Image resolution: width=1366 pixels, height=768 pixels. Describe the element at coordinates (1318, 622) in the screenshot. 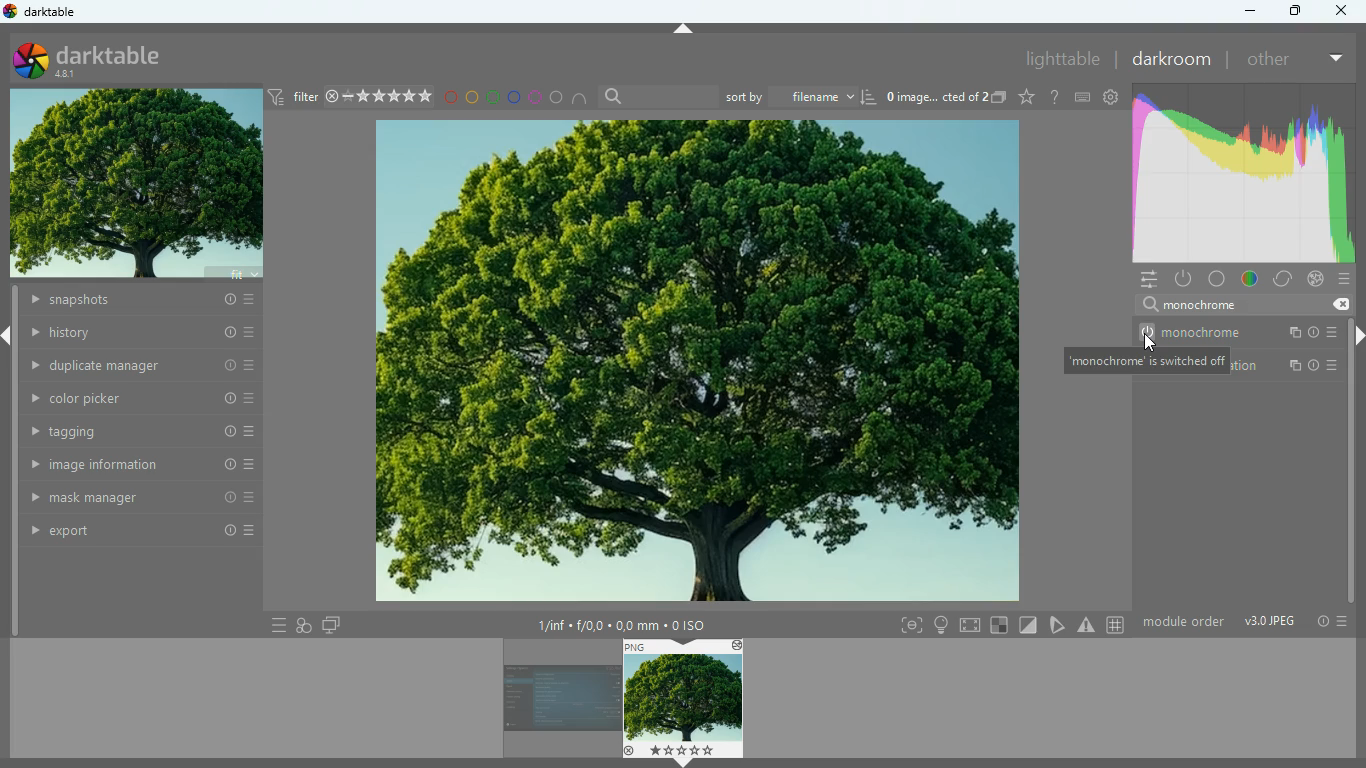

I see `info` at that location.